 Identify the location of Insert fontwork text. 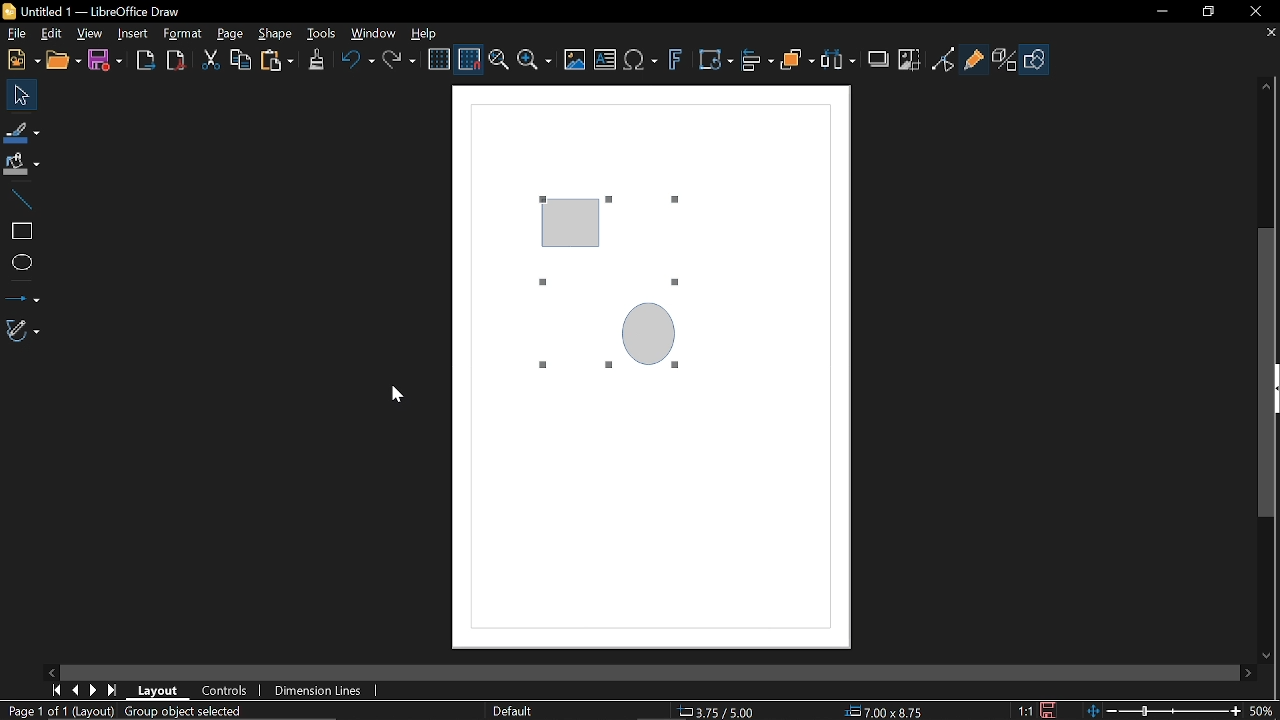
(675, 61).